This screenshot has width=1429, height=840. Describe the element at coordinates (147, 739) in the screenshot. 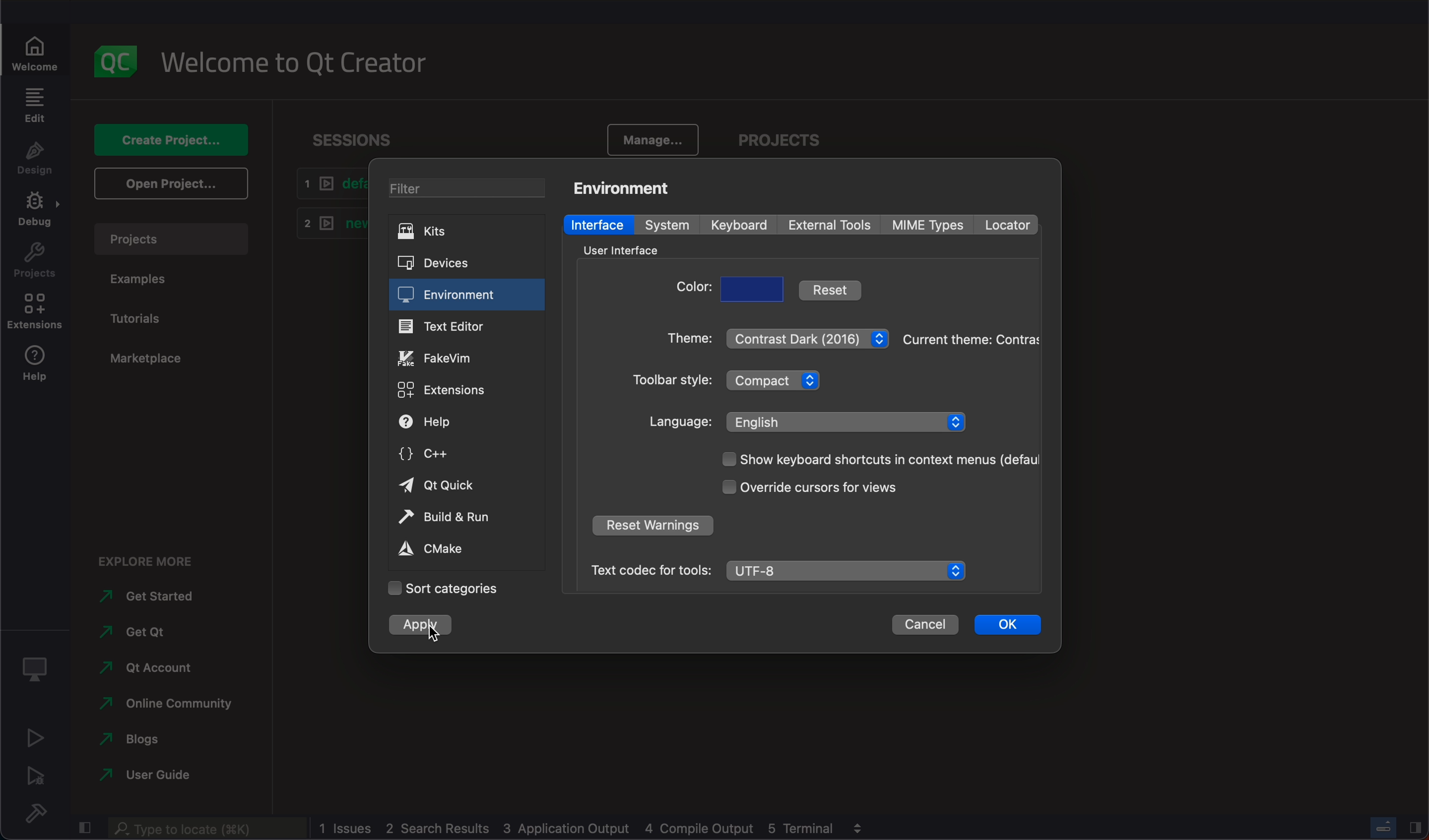

I see `blogs` at that location.